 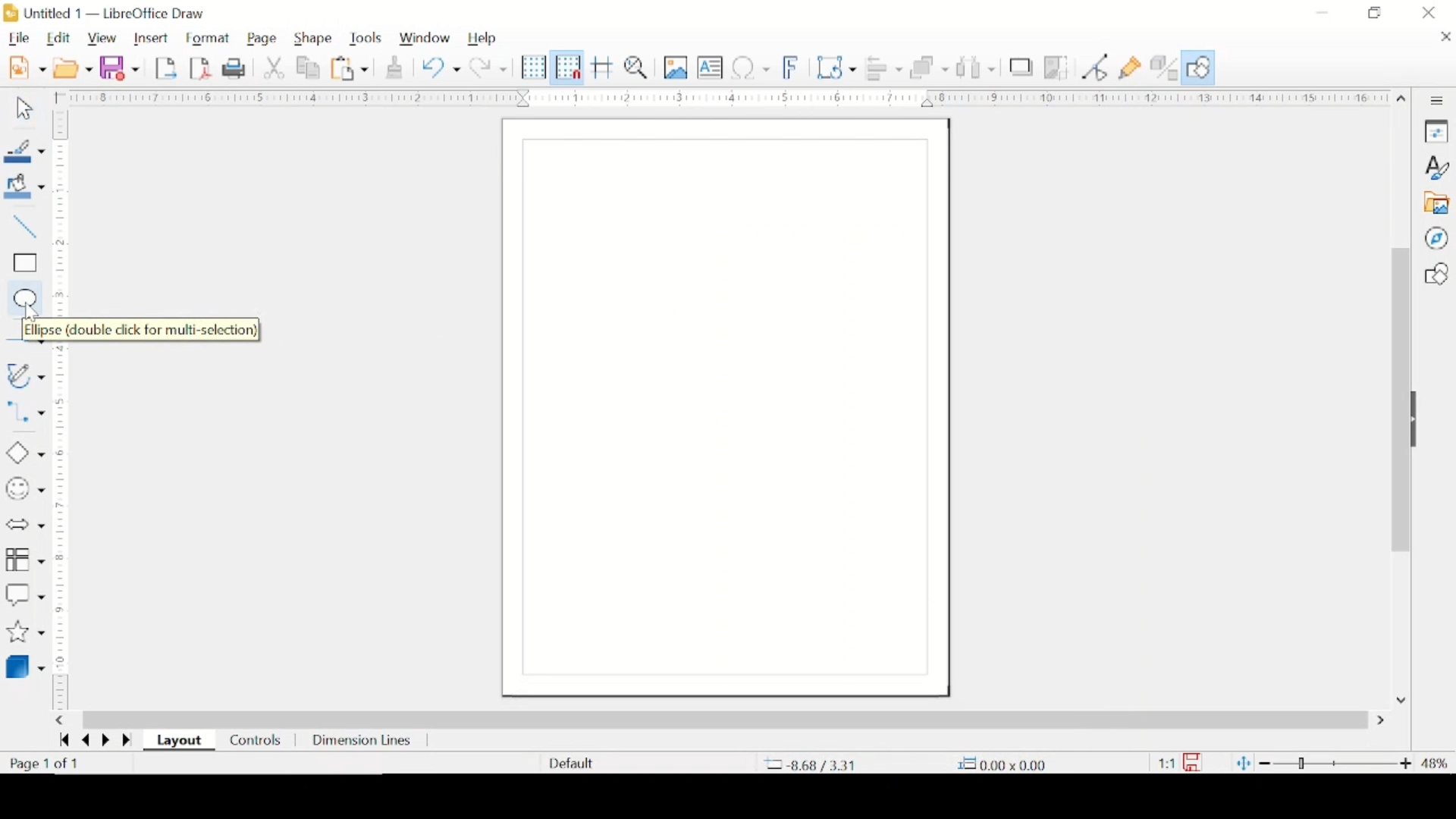 I want to click on symbol shapes, so click(x=25, y=489).